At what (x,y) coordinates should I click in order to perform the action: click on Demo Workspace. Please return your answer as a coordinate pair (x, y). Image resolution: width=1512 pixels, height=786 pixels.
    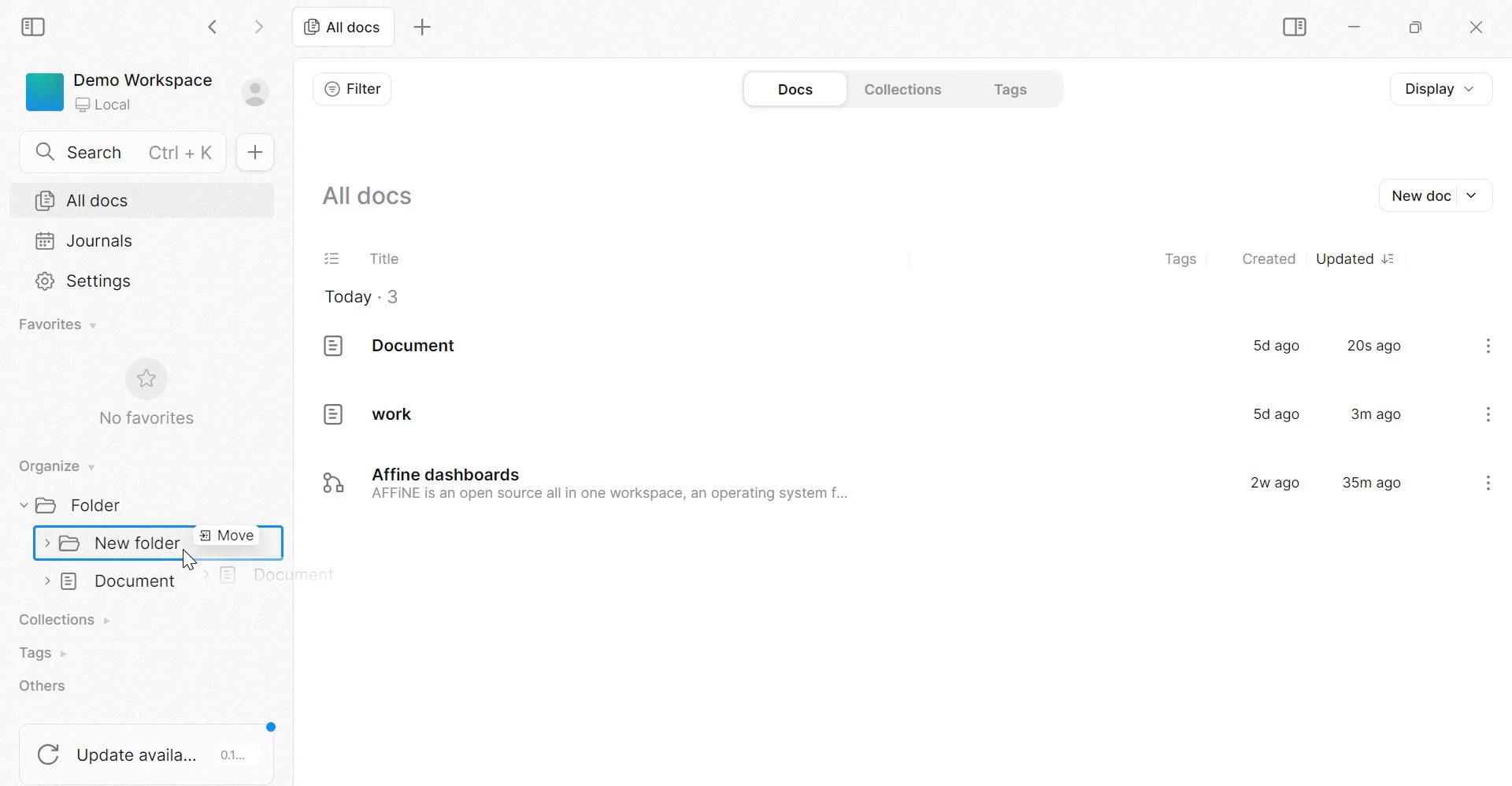
    Looking at the image, I should click on (147, 90).